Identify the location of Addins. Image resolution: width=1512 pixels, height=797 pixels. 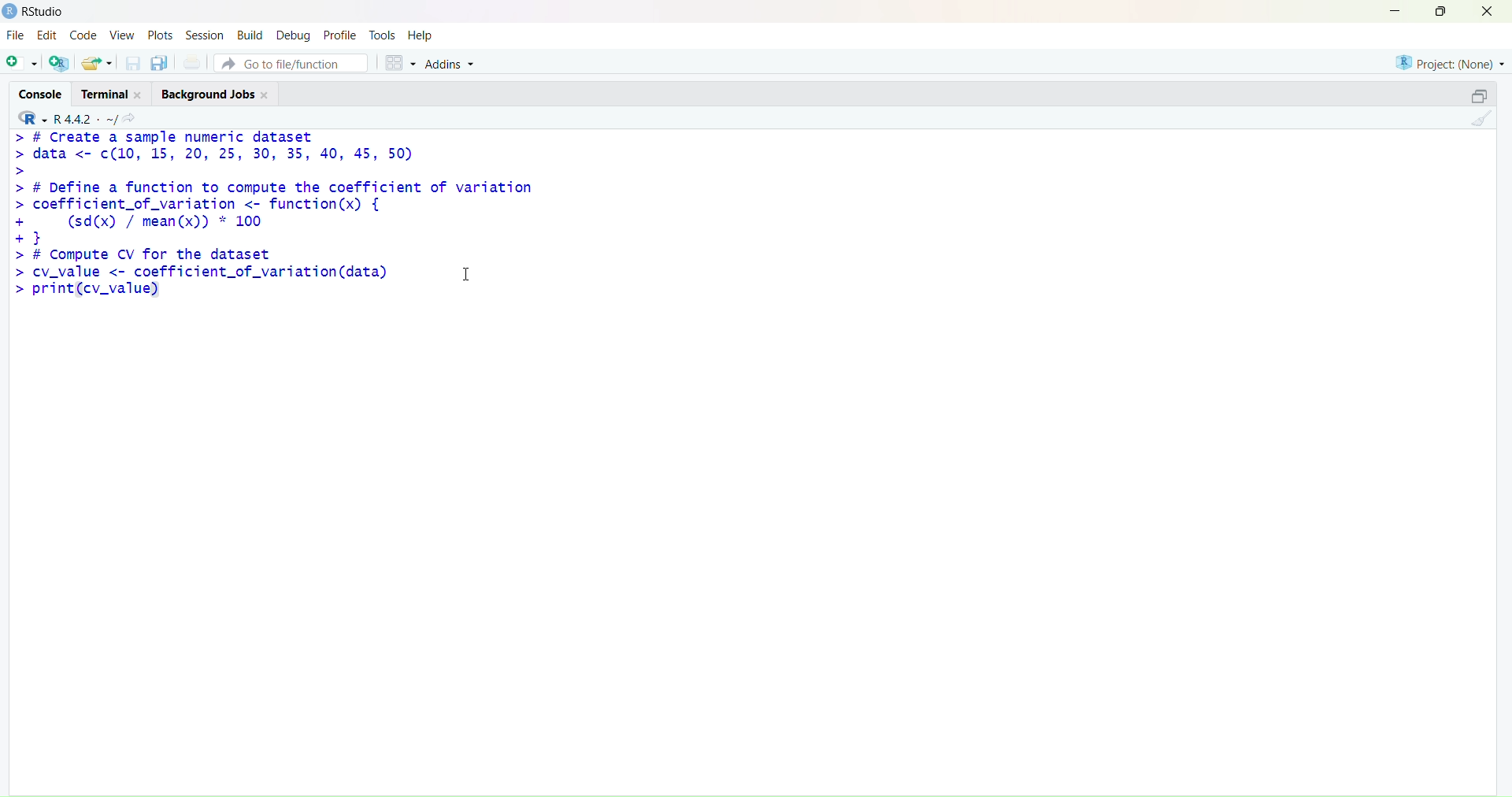
(451, 65).